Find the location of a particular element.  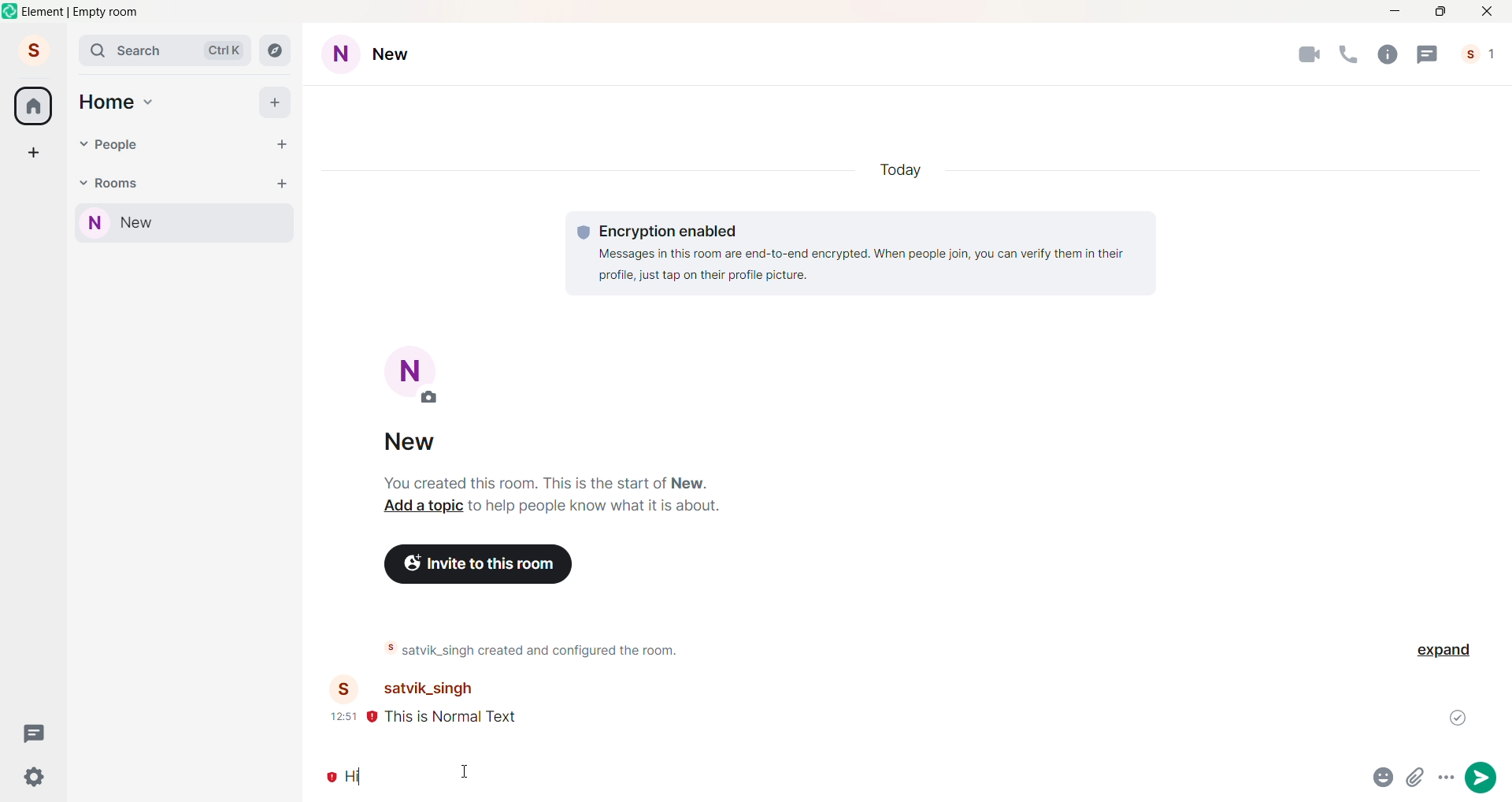

Threads is located at coordinates (1428, 54).